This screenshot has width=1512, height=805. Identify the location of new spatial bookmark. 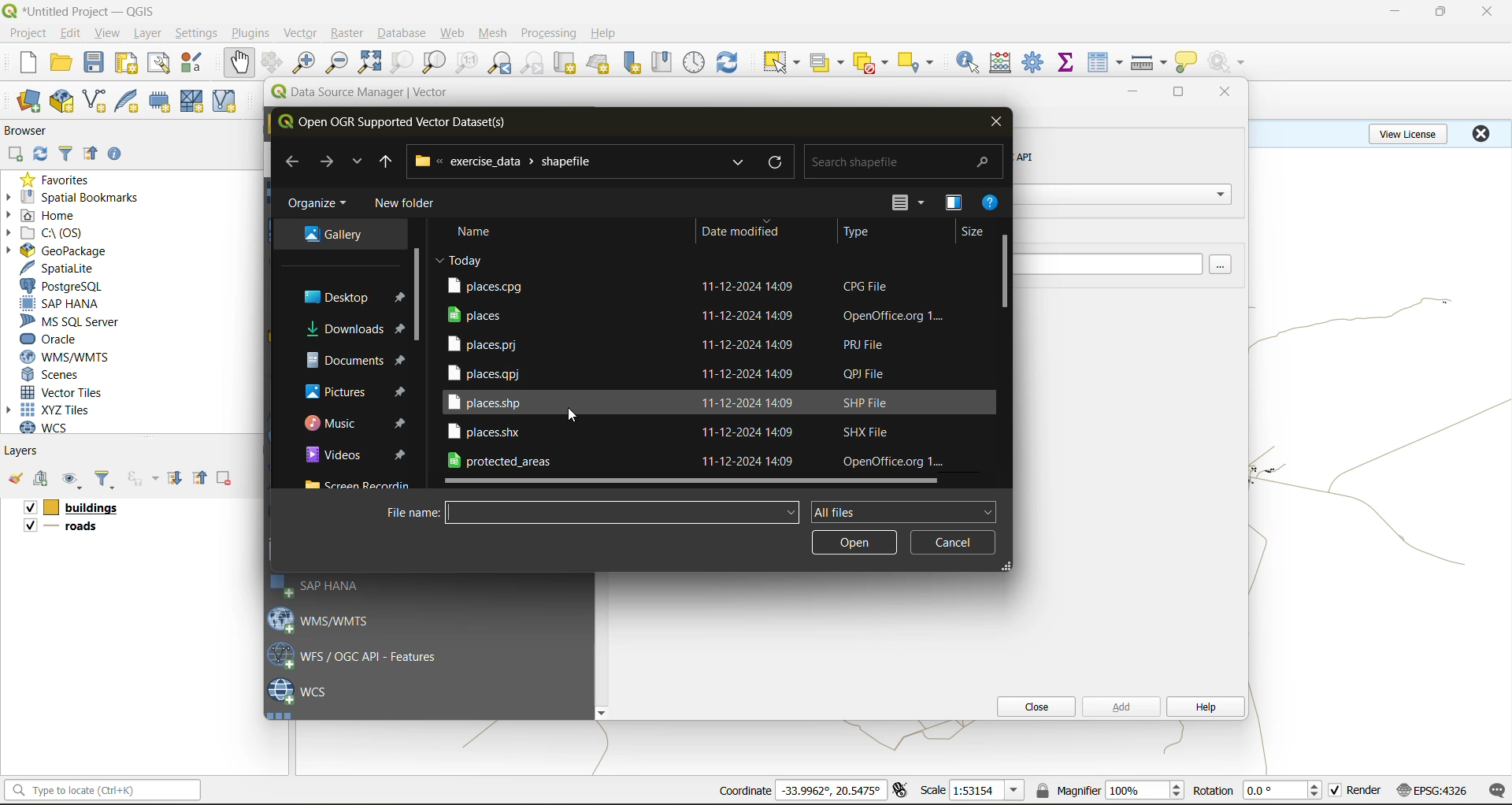
(633, 63).